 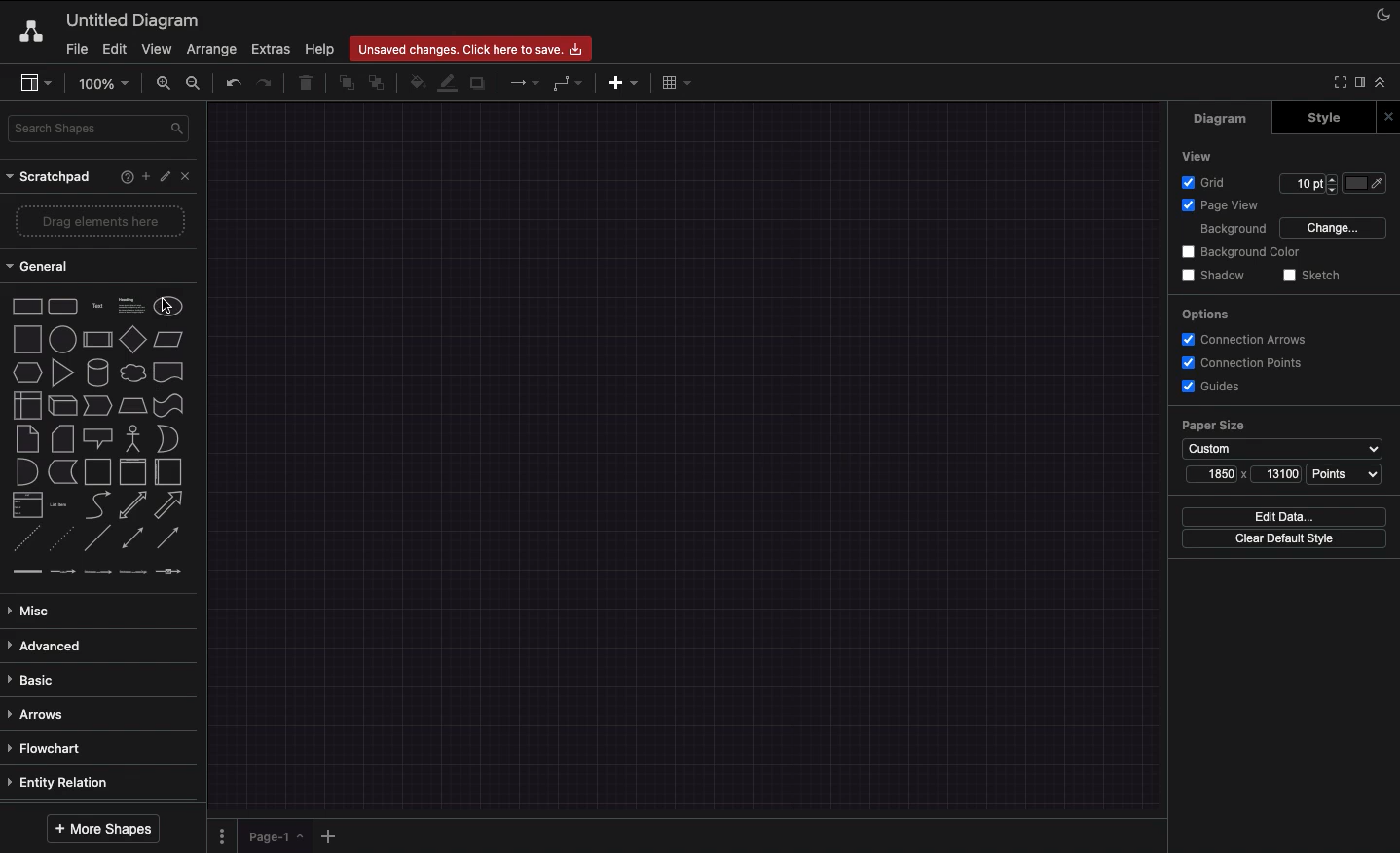 What do you see at coordinates (100, 131) in the screenshot?
I see `Search shapes` at bounding box center [100, 131].